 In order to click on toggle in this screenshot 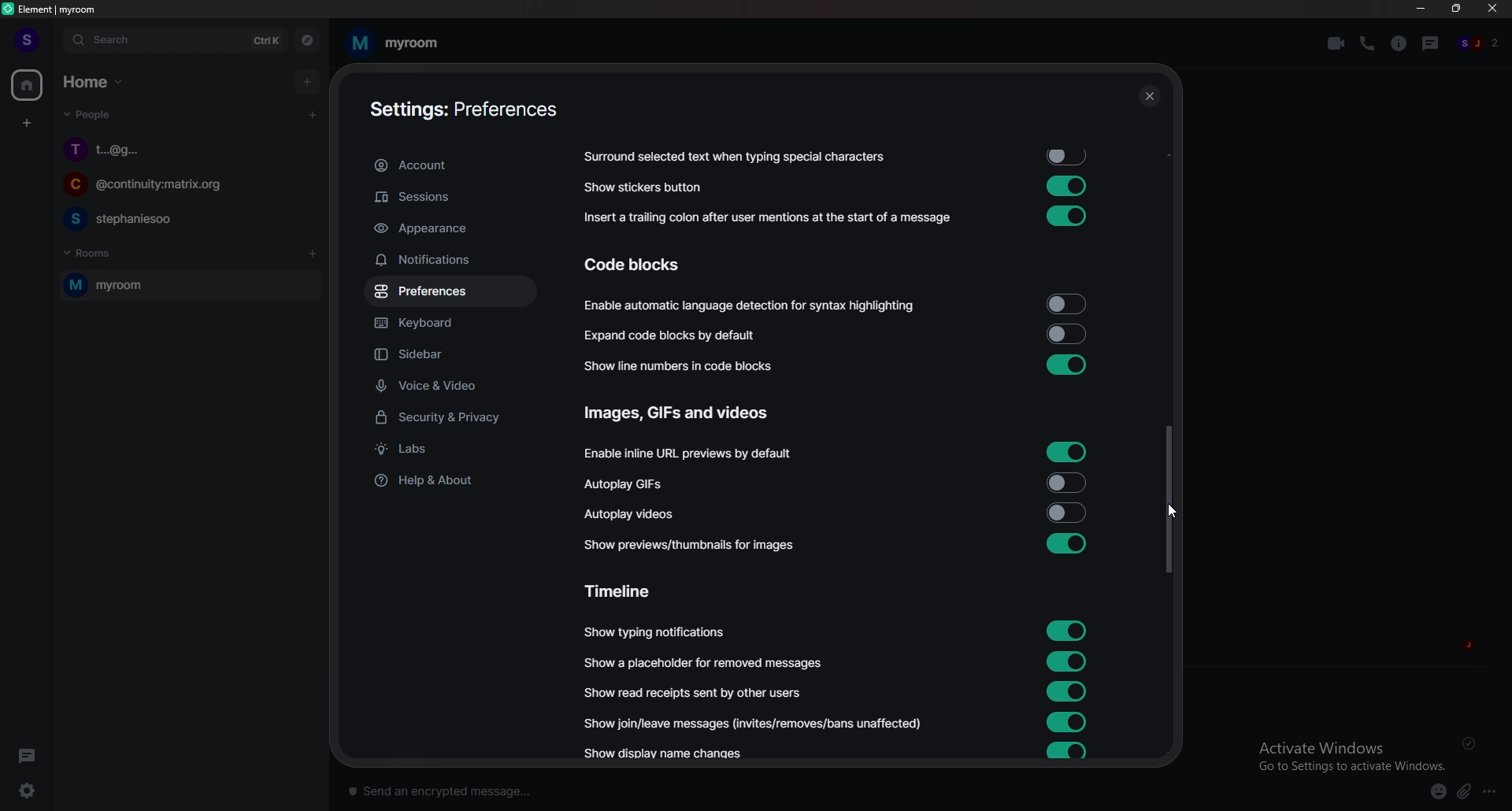, I will do `click(1065, 305)`.